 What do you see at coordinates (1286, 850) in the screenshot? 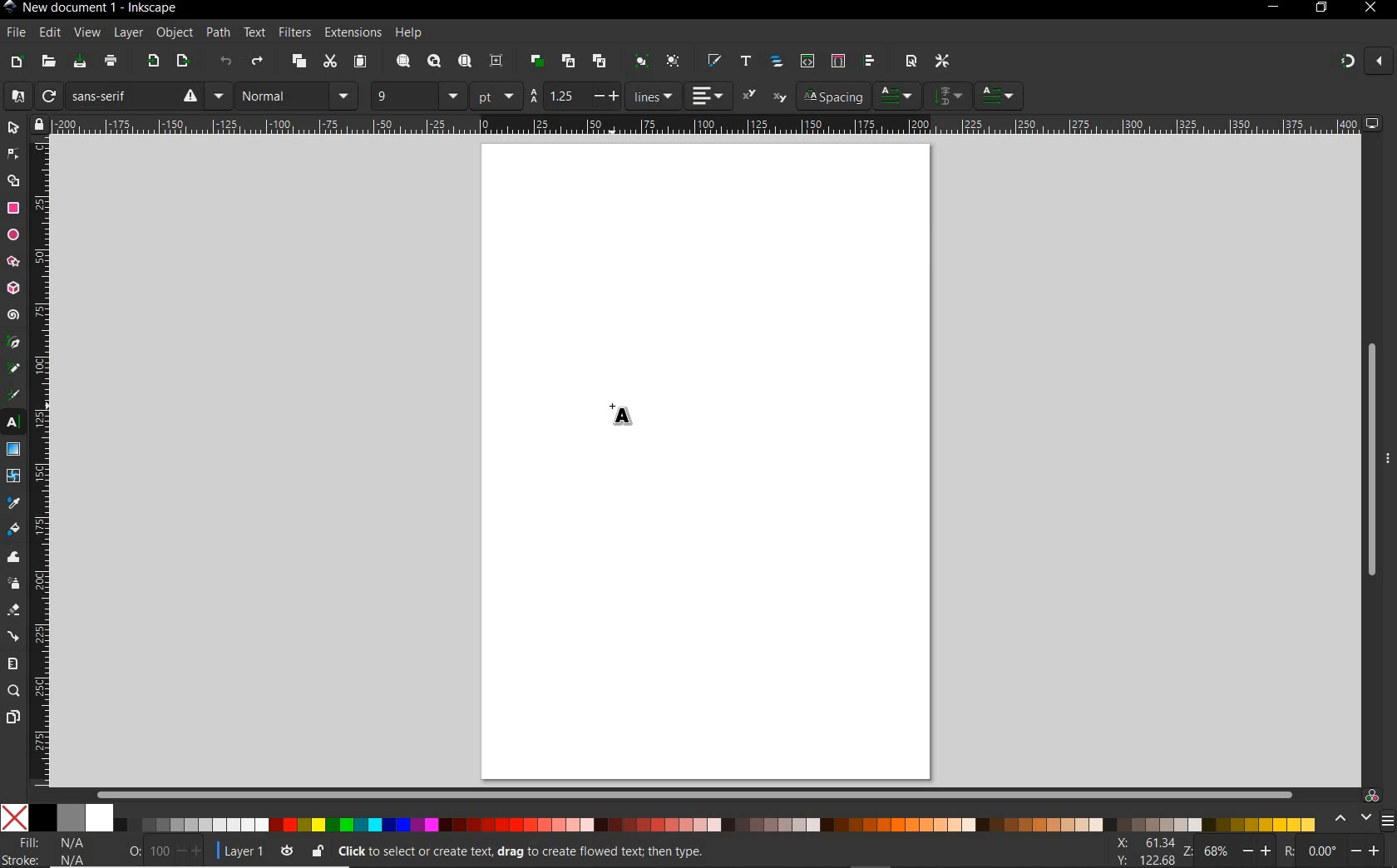
I see `rotation` at bounding box center [1286, 850].